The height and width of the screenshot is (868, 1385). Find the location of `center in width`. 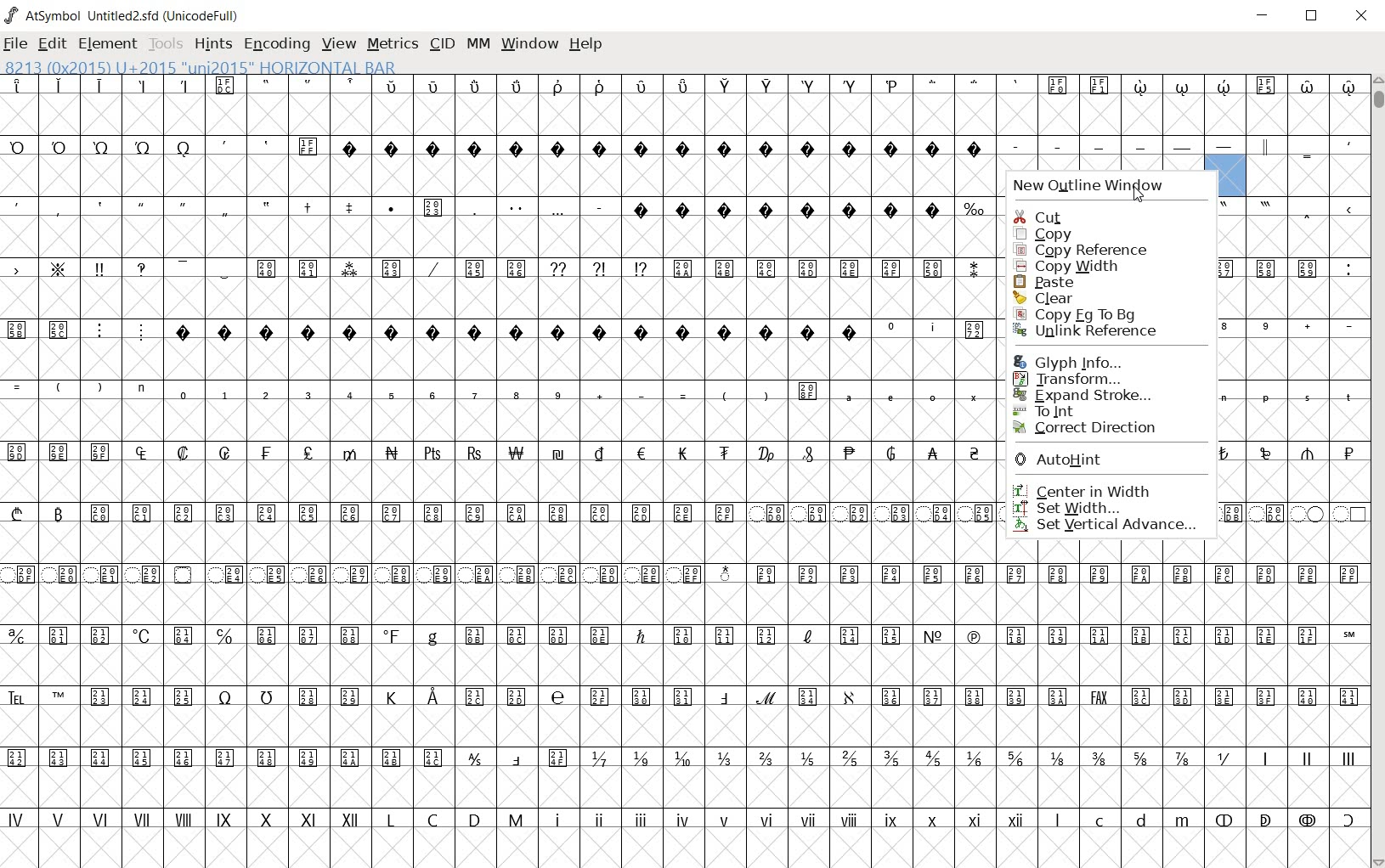

center in width is located at coordinates (1090, 490).